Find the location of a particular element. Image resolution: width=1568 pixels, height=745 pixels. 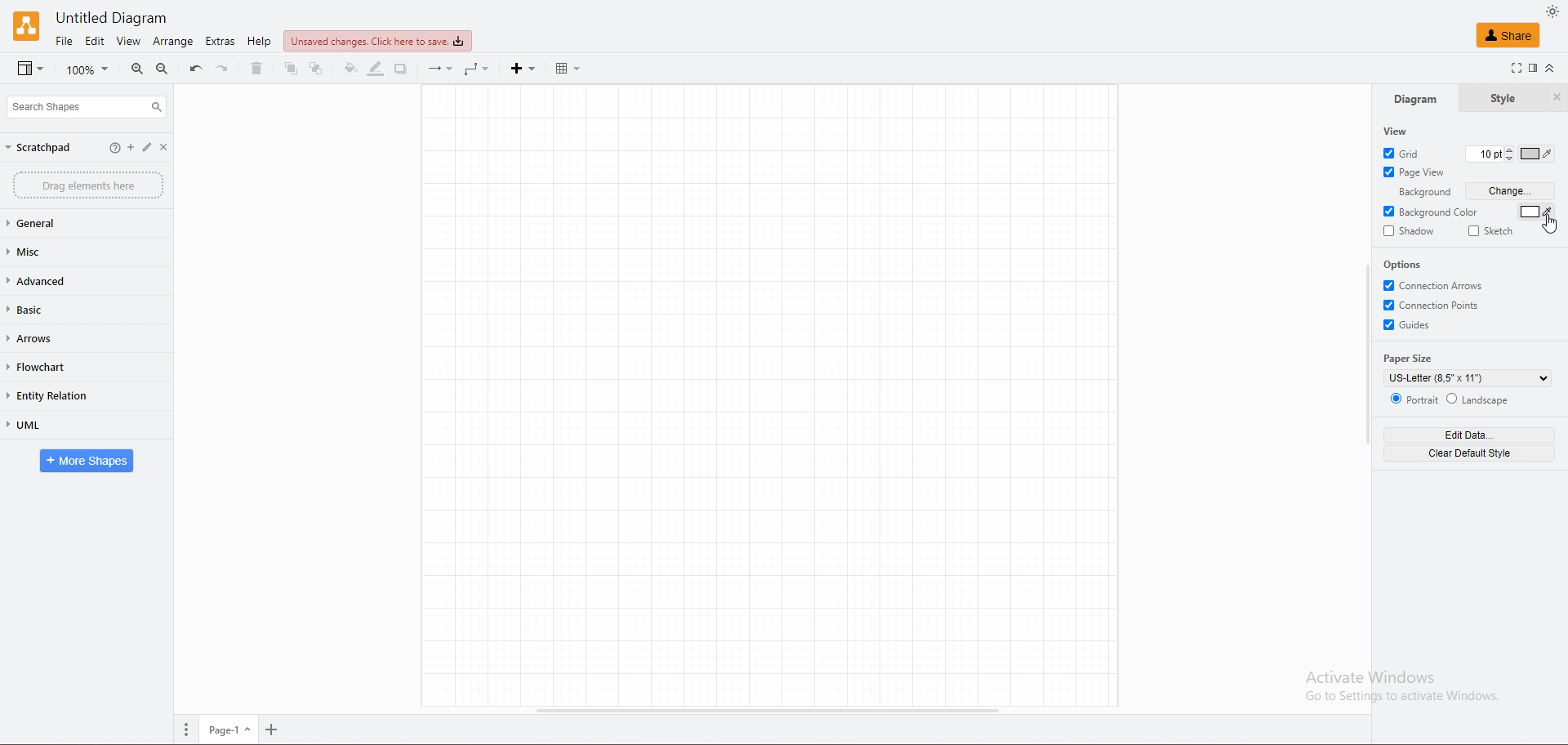

UML is located at coordinates (74, 425).